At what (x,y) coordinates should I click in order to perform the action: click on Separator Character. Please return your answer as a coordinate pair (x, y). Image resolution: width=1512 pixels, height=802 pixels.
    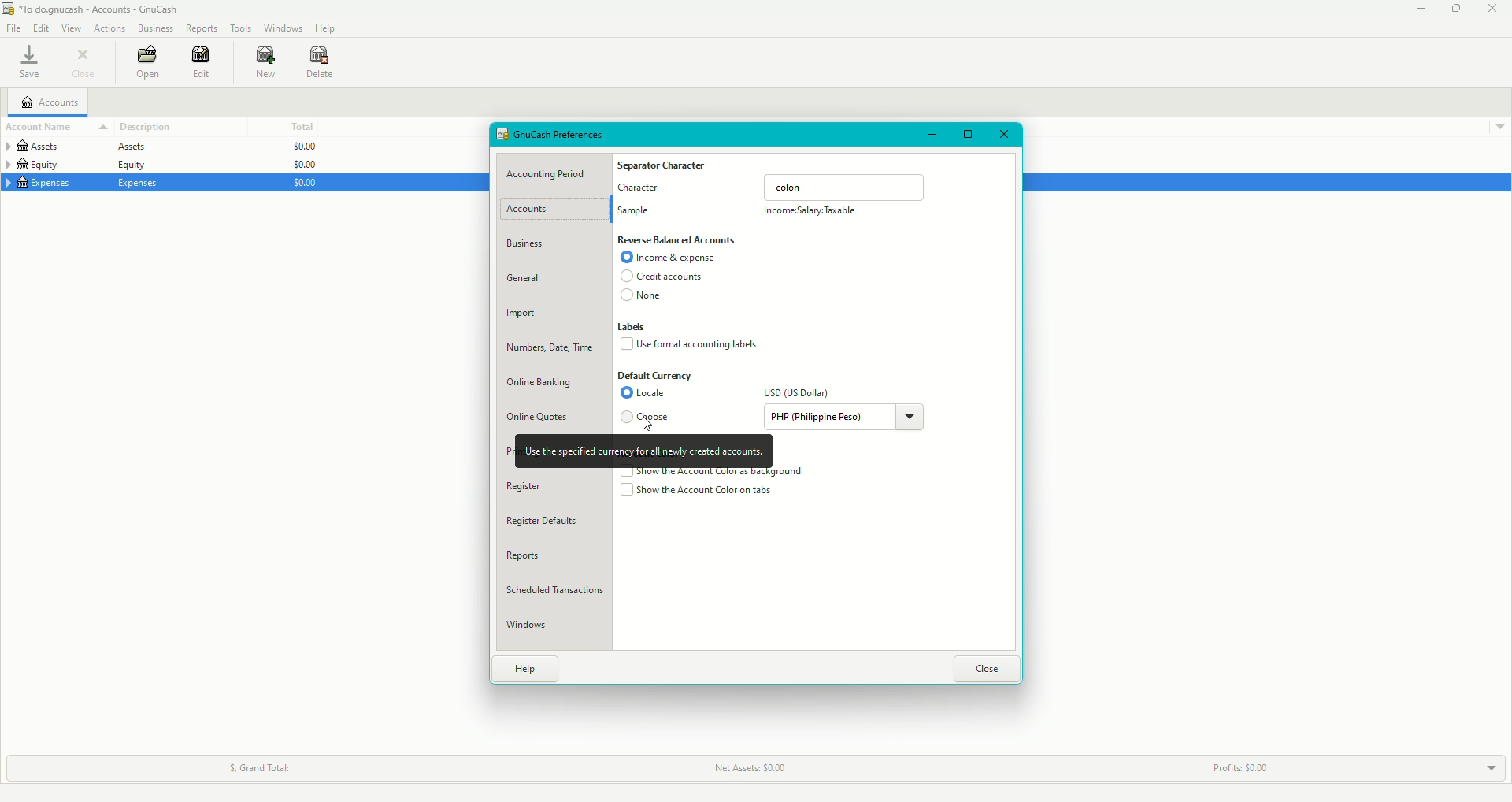
    Looking at the image, I should click on (664, 166).